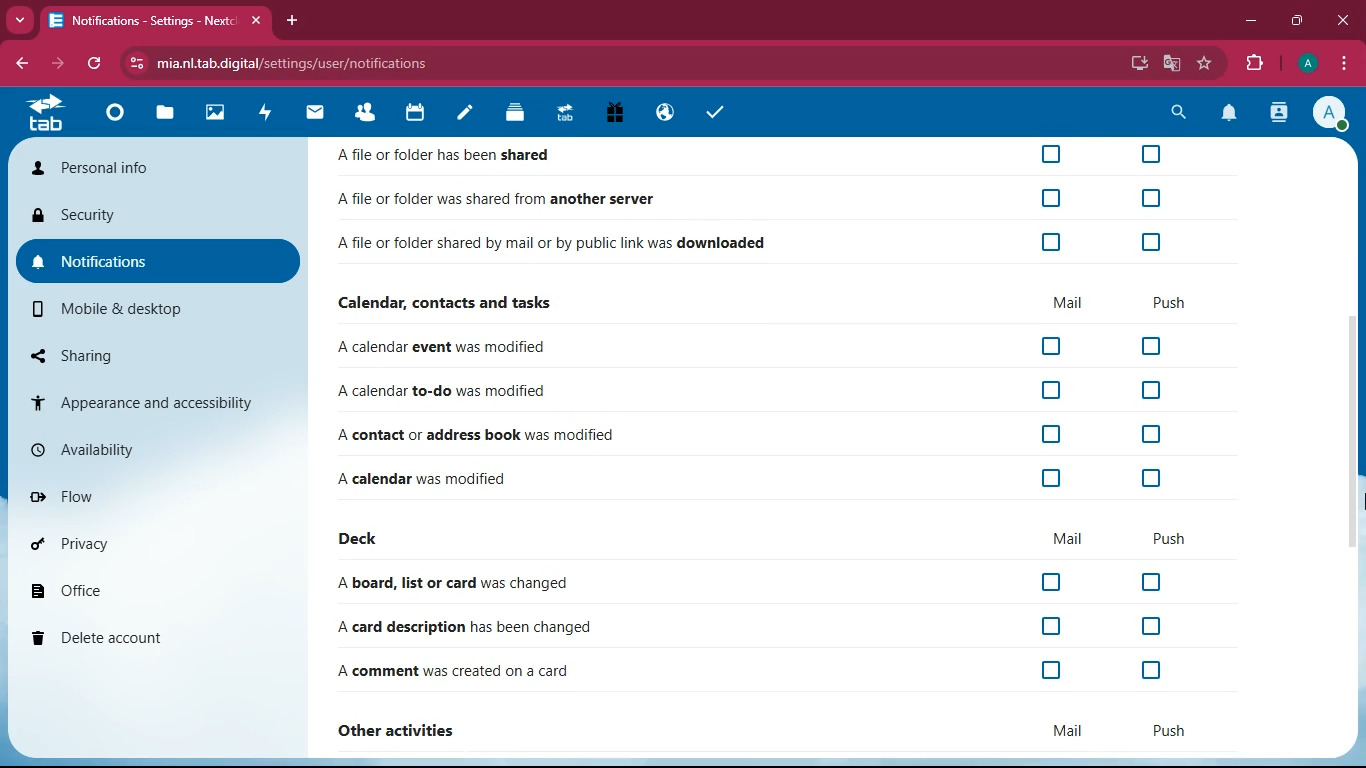 Image resolution: width=1366 pixels, height=768 pixels. What do you see at coordinates (1342, 20) in the screenshot?
I see `close` at bounding box center [1342, 20].